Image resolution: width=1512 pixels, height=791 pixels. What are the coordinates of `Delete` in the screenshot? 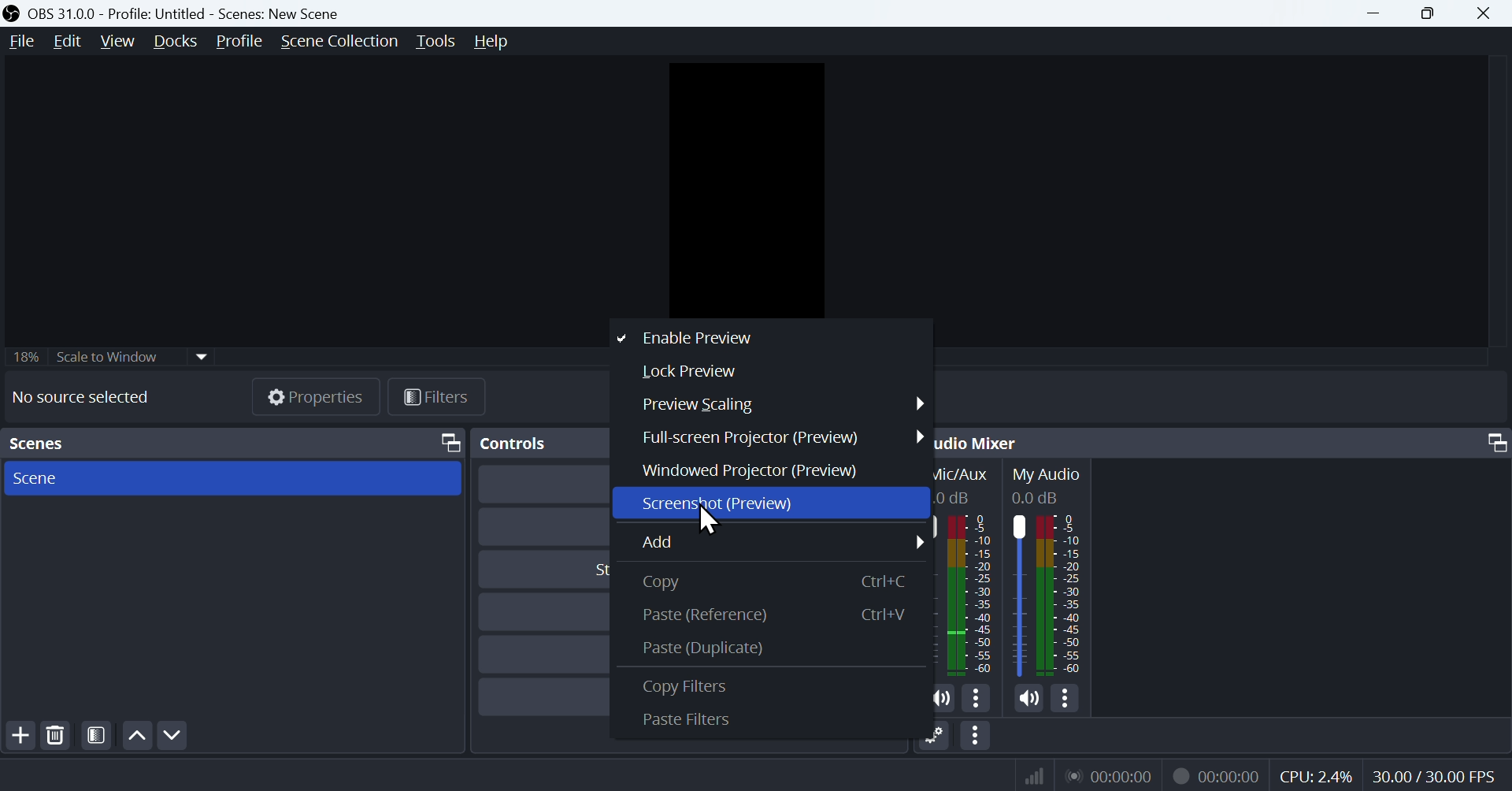 It's located at (55, 735).